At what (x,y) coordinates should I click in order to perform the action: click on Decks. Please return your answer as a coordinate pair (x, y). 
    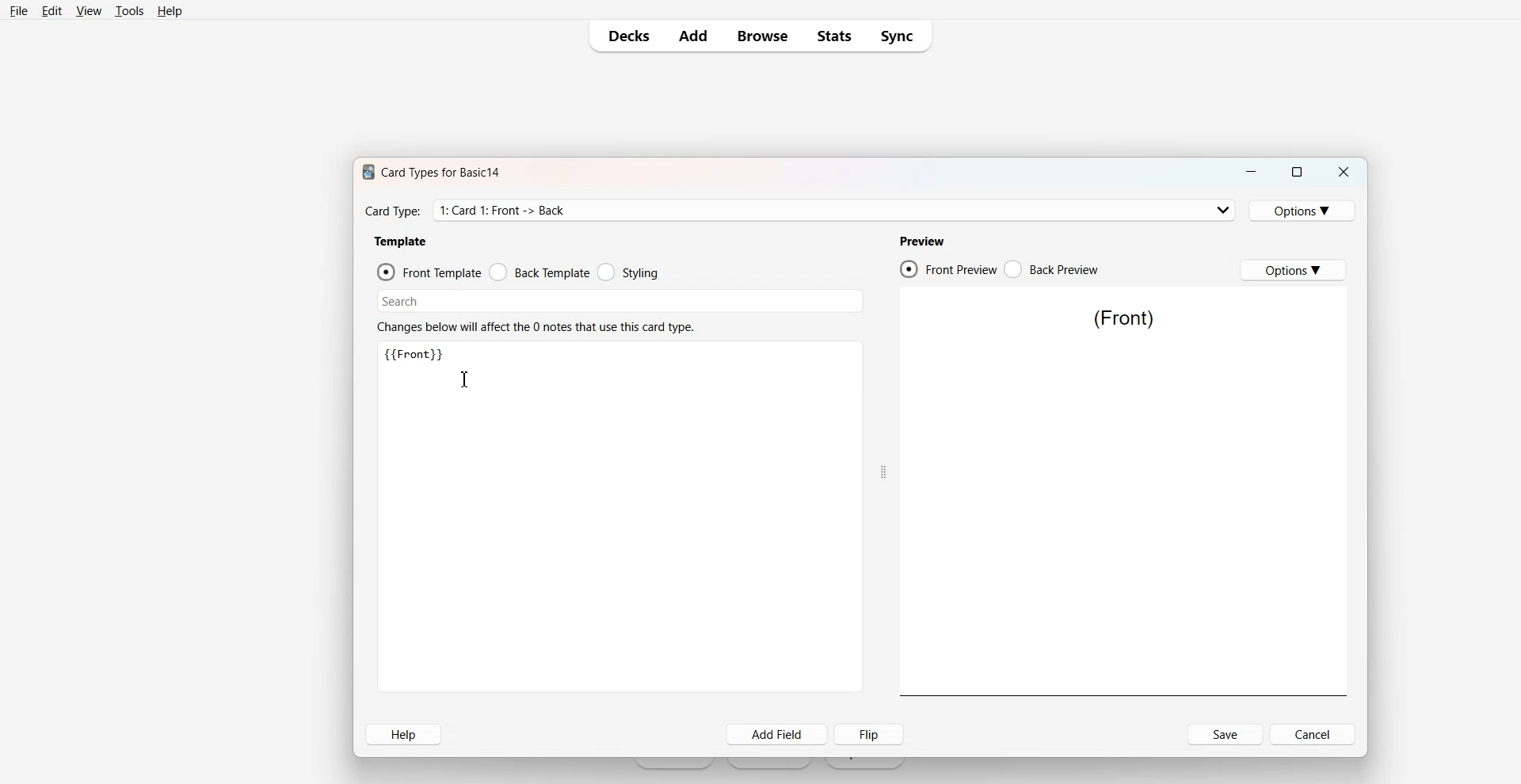
    Looking at the image, I should click on (624, 36).